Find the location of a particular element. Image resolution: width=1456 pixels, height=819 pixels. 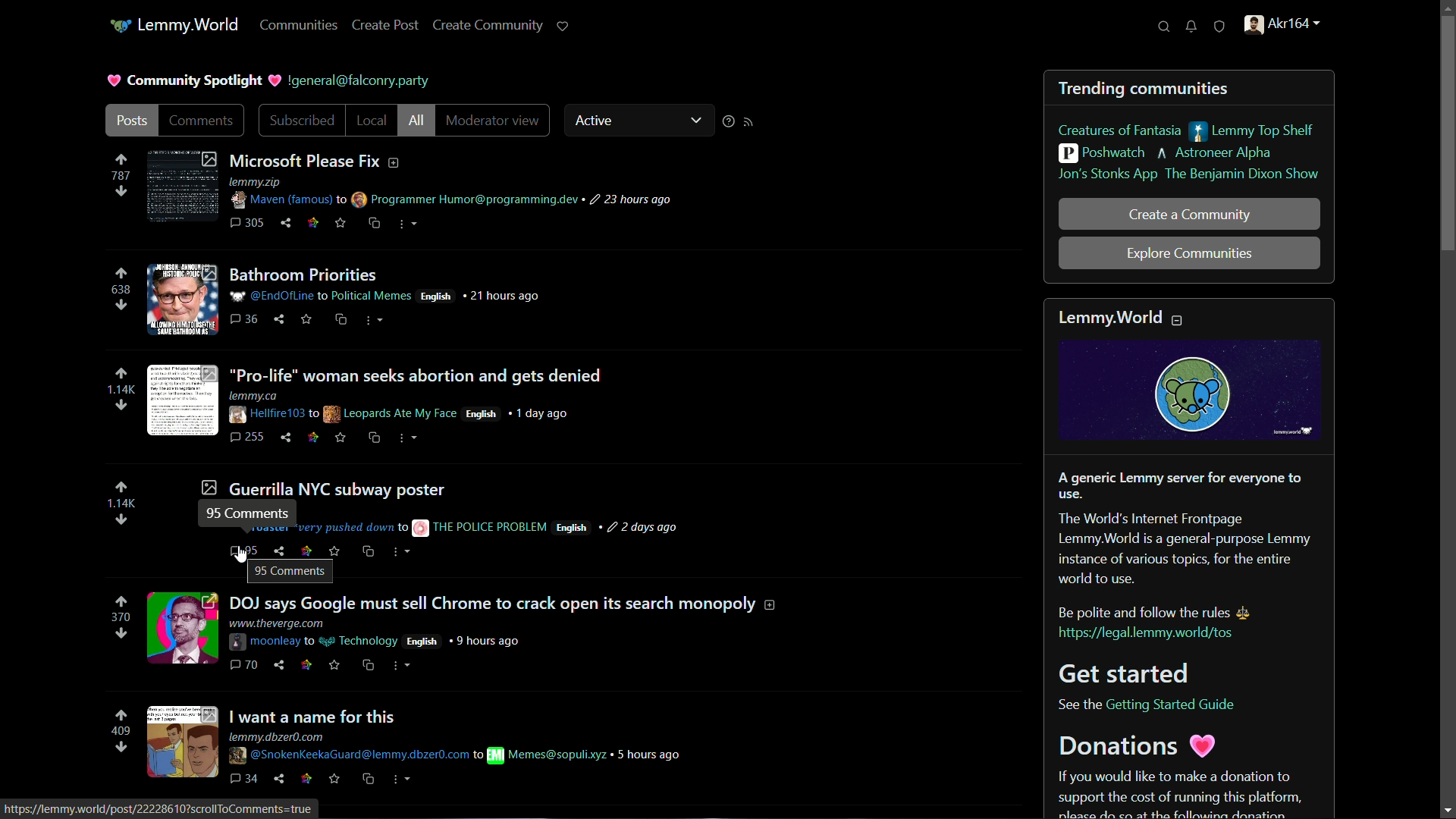

cross post is located at coordinates (368, 665).